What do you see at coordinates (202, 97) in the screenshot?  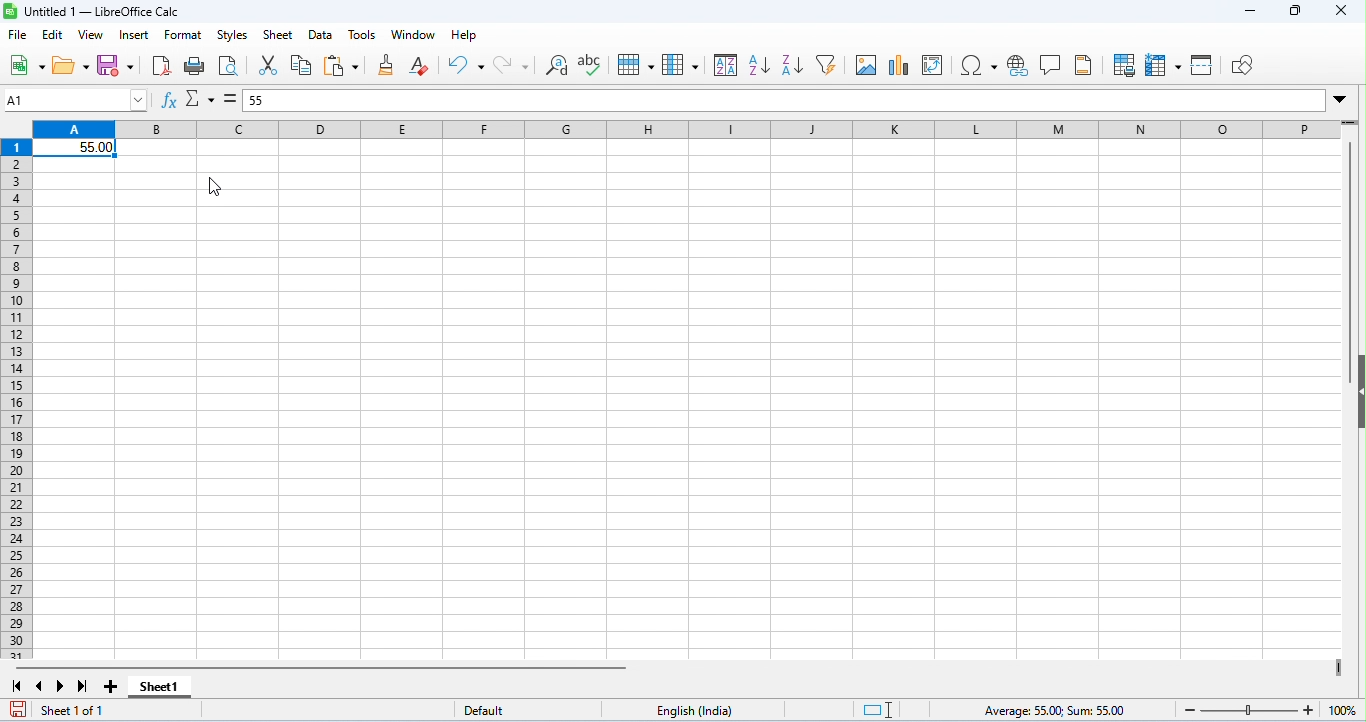 I see `select function` at bounding box center [202, 97].